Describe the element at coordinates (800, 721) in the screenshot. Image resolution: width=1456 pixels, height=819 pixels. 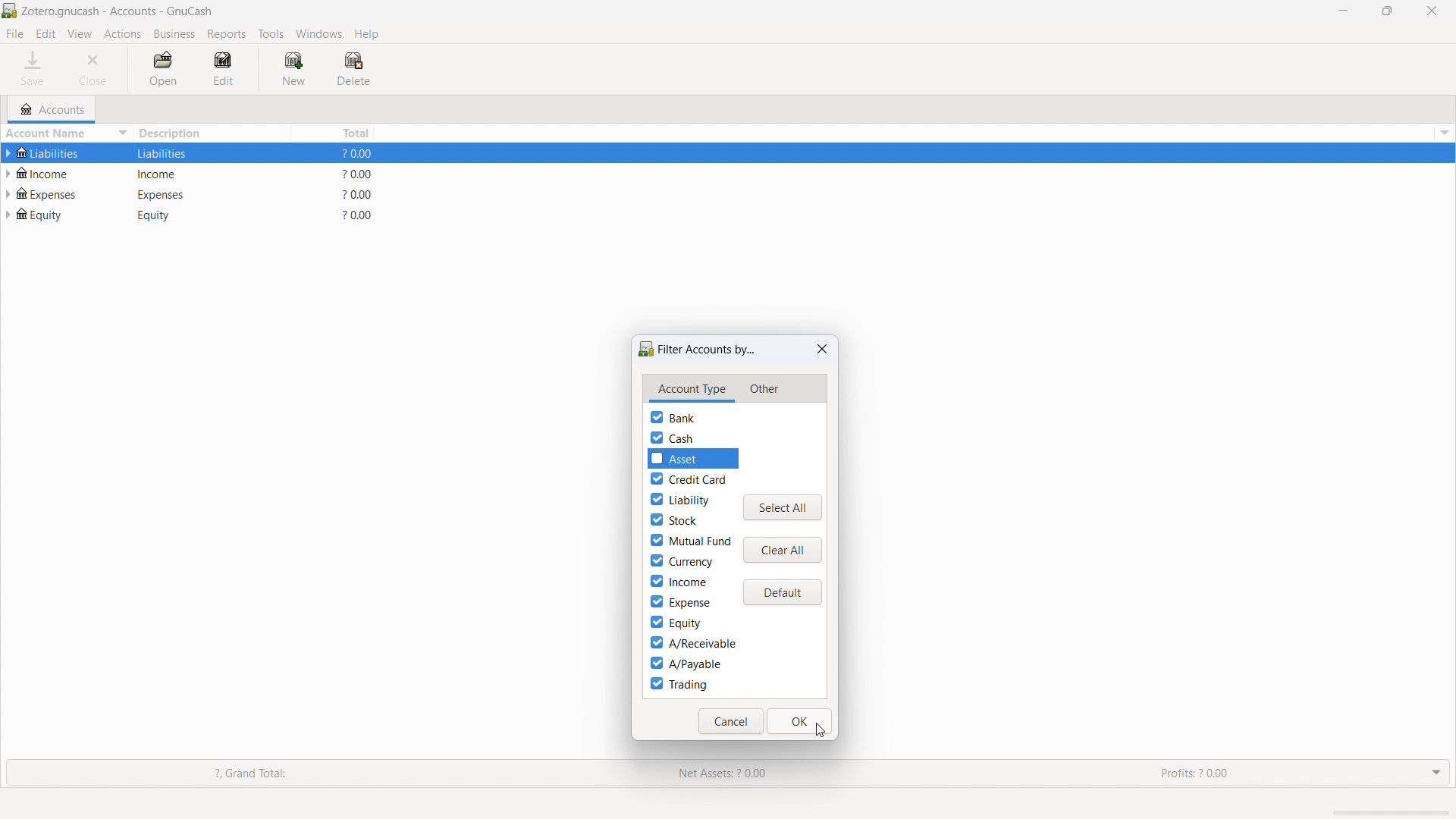
I see `ok` at that location.